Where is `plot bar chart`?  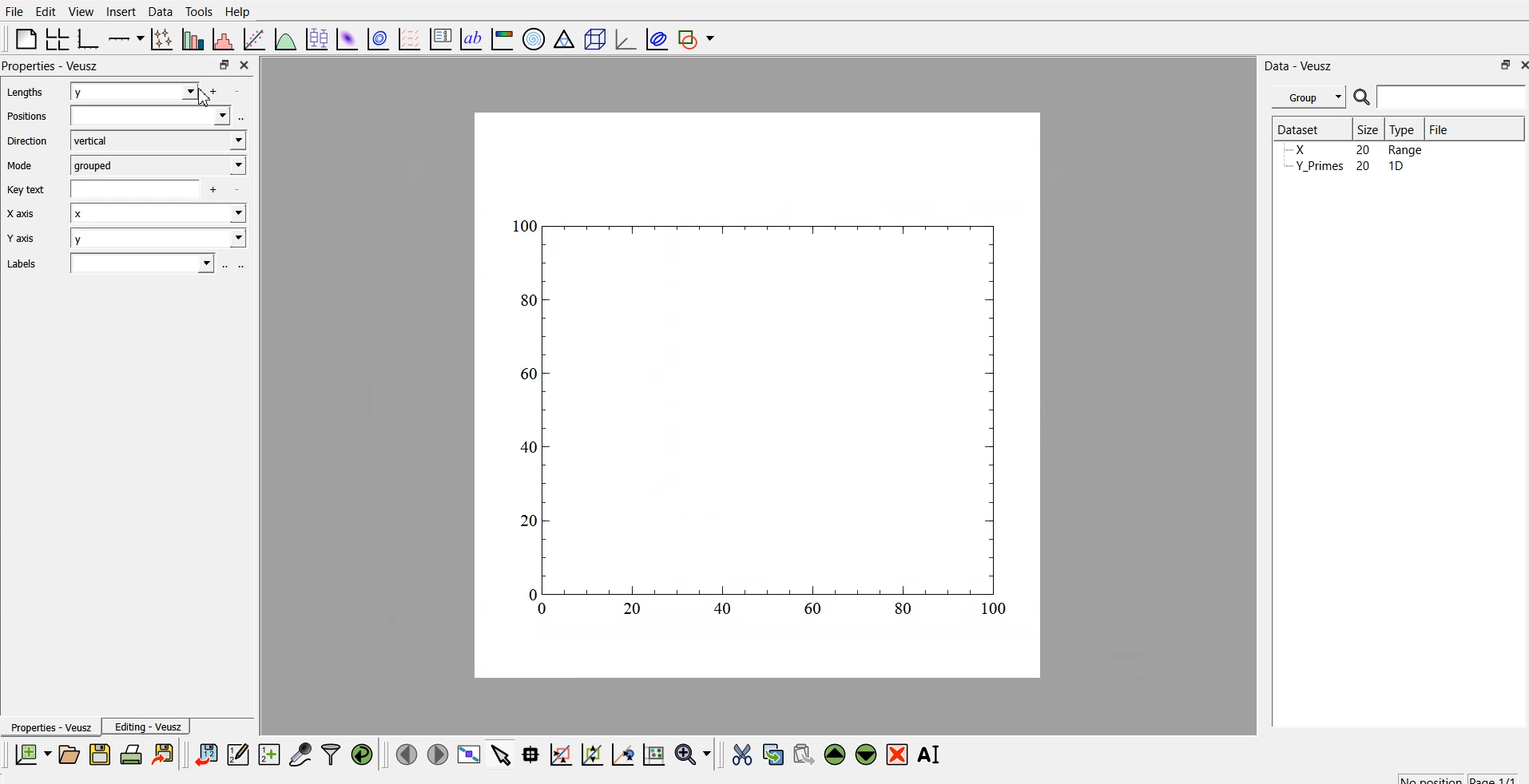 plot bar chart is located at coordinates (191, 41).